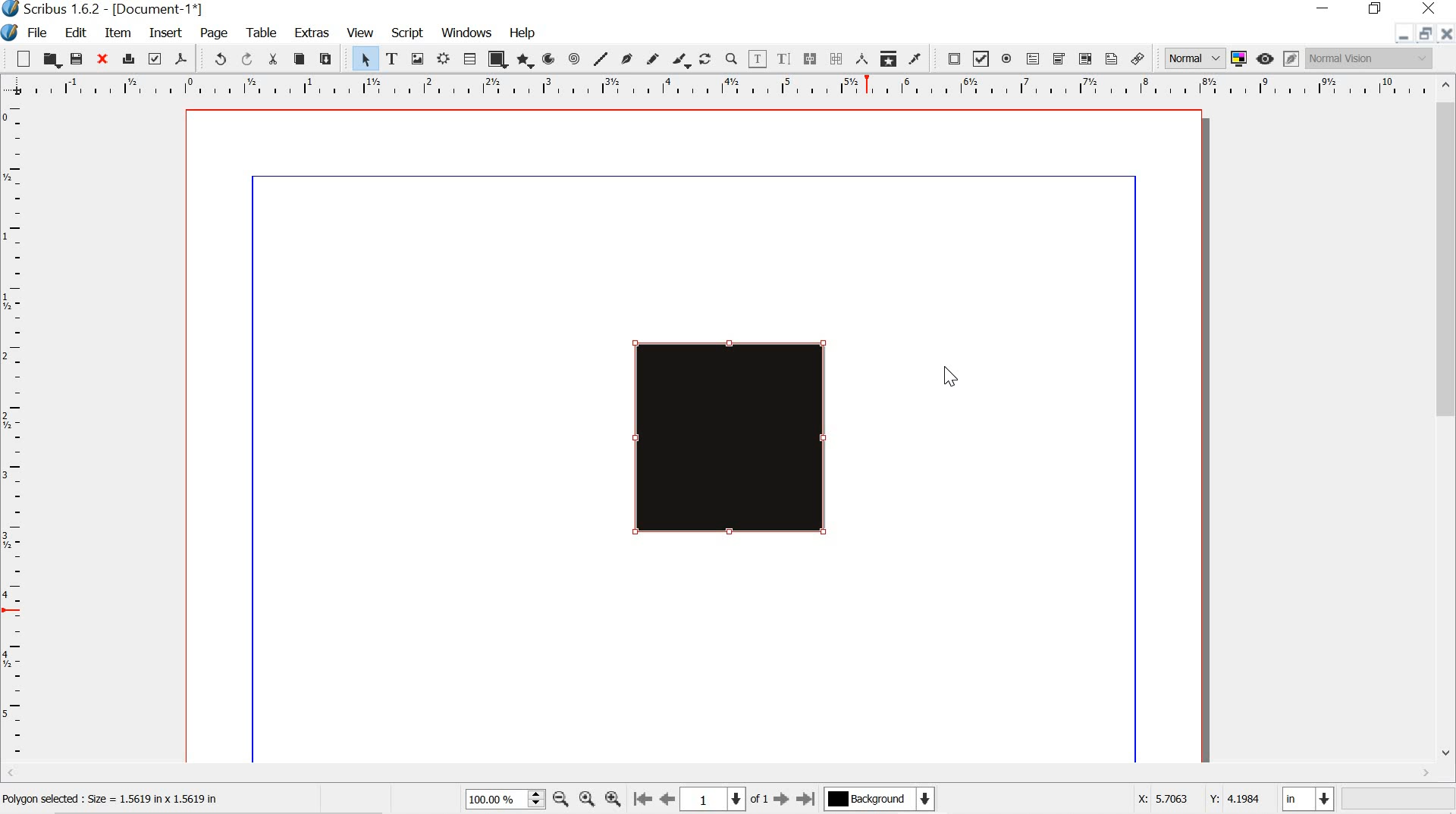  I want to click on logo, so click(10, 31).